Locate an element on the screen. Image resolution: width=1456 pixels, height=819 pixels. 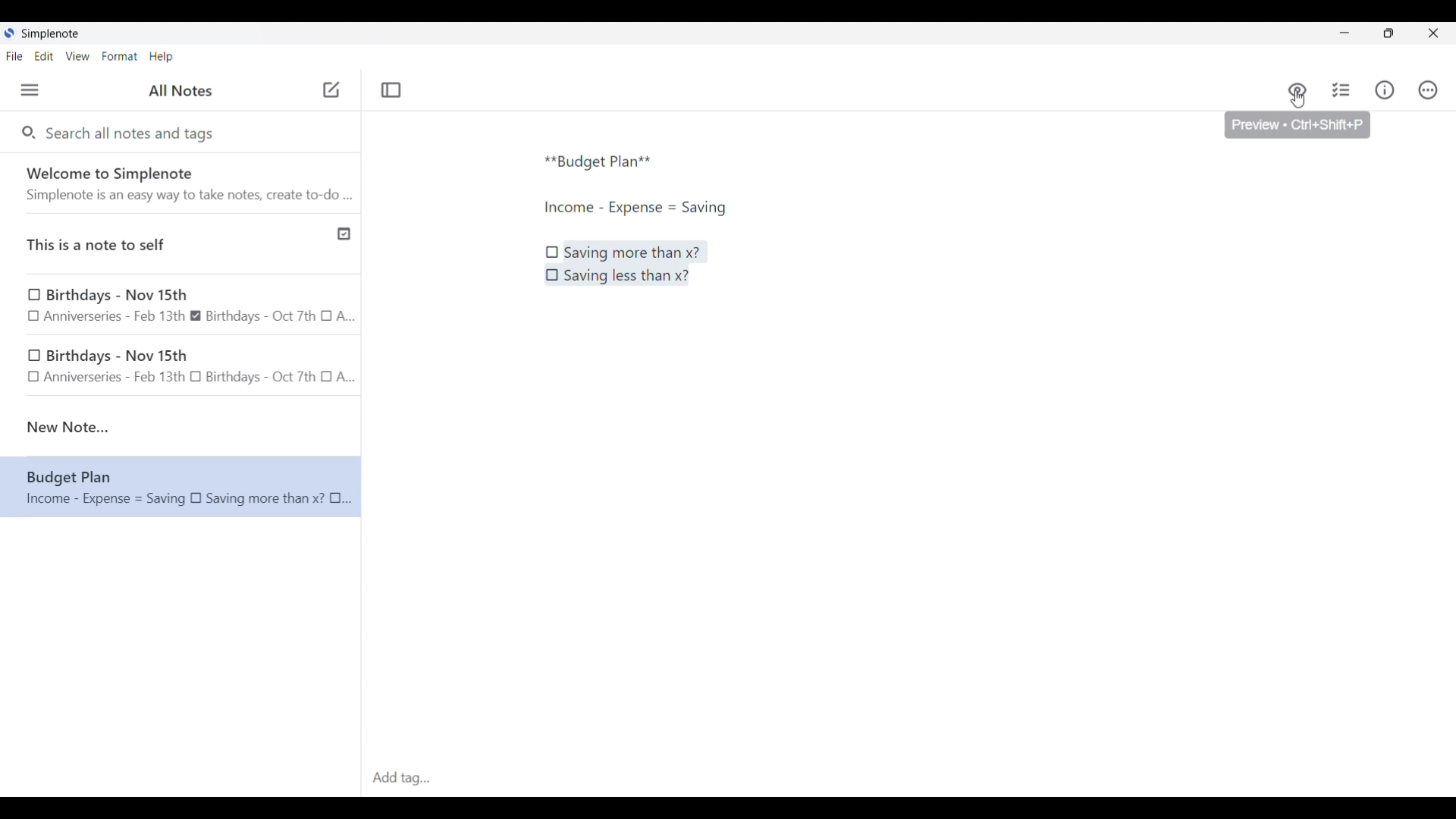
Click to type in tags is located at coordinates (908, 779).